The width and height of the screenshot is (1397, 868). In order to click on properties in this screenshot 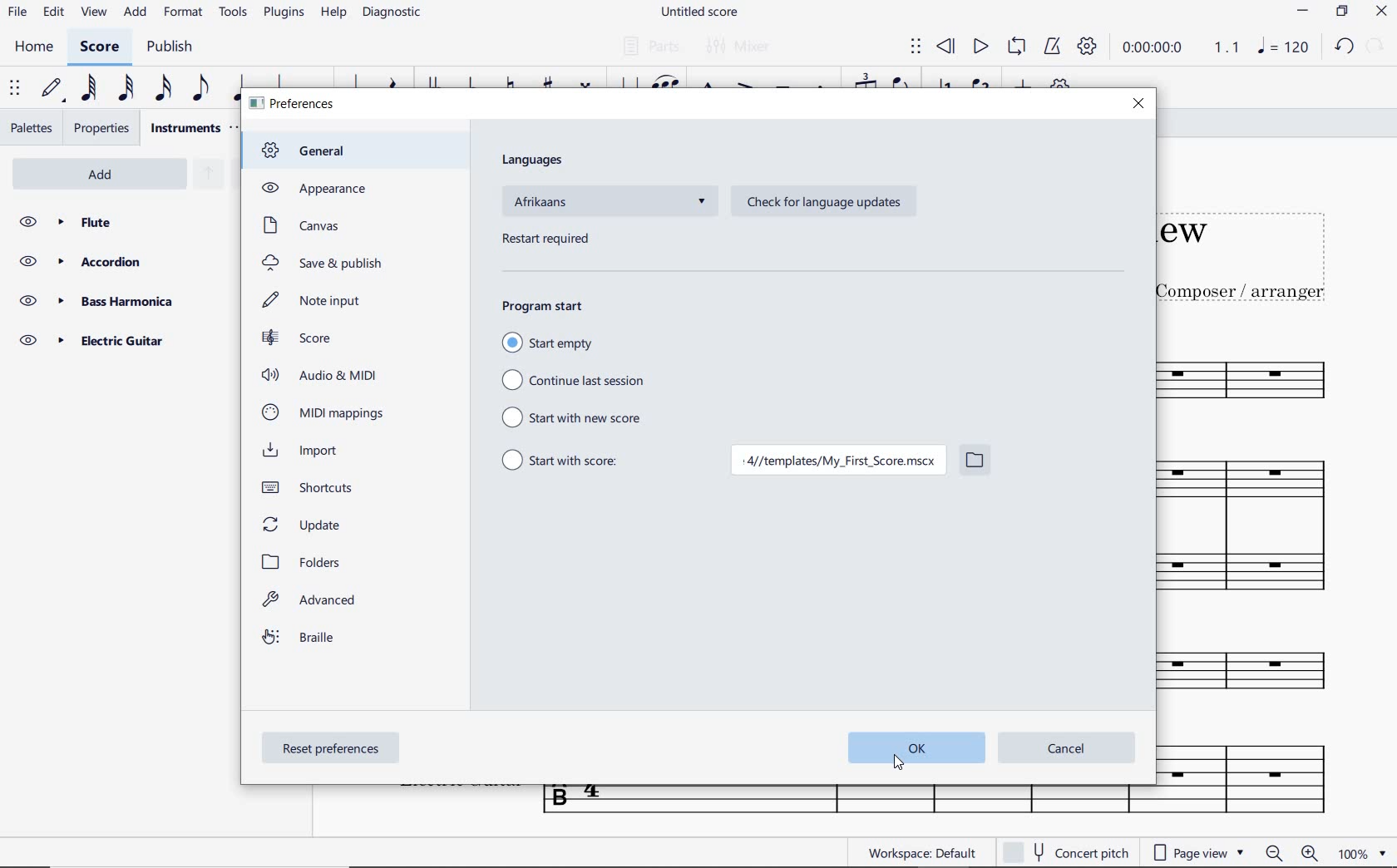, I will do `click(101, 128)`.